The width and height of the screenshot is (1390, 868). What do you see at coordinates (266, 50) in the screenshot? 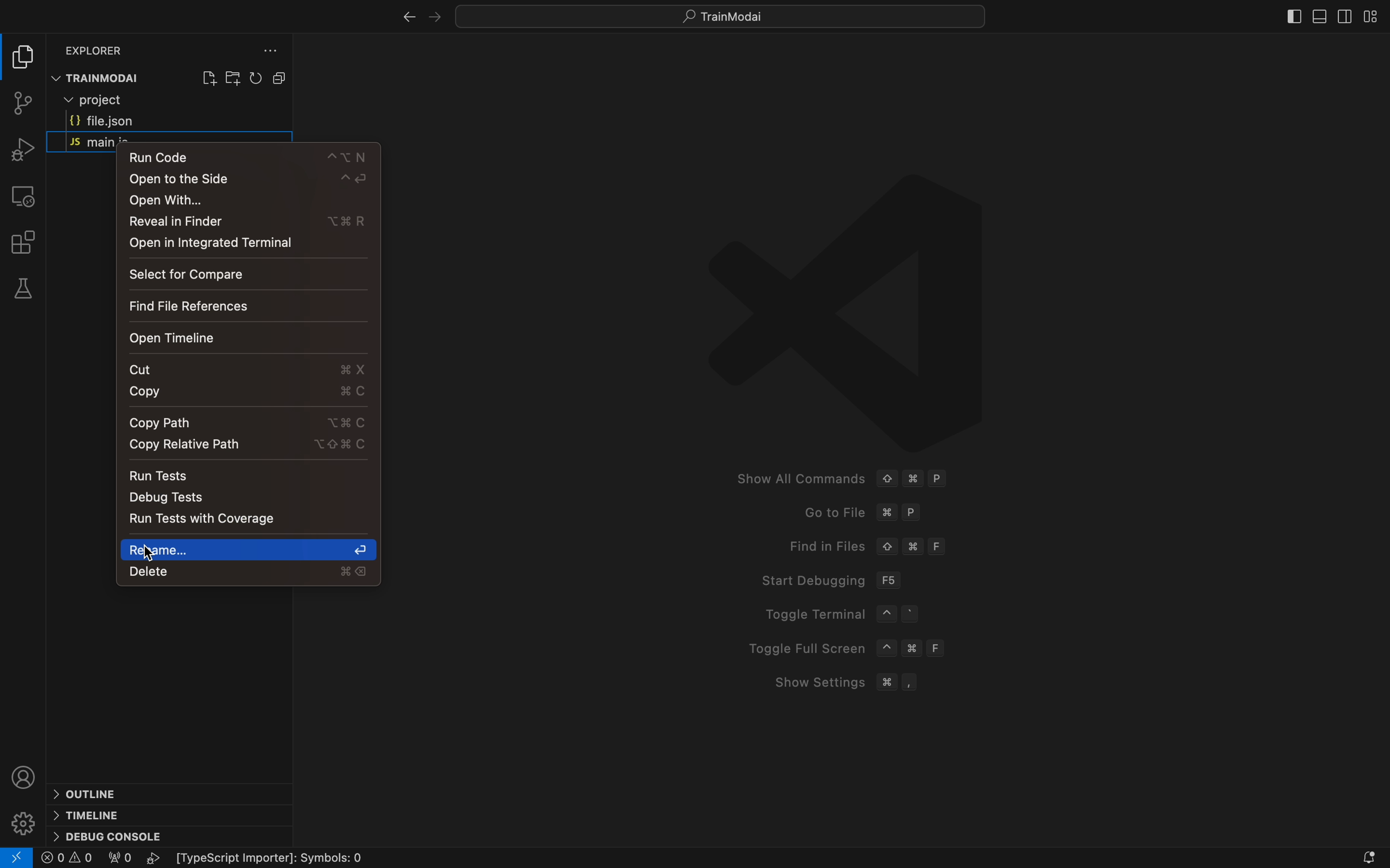
I see `file explorer setting` at bounding box center [266, 50].